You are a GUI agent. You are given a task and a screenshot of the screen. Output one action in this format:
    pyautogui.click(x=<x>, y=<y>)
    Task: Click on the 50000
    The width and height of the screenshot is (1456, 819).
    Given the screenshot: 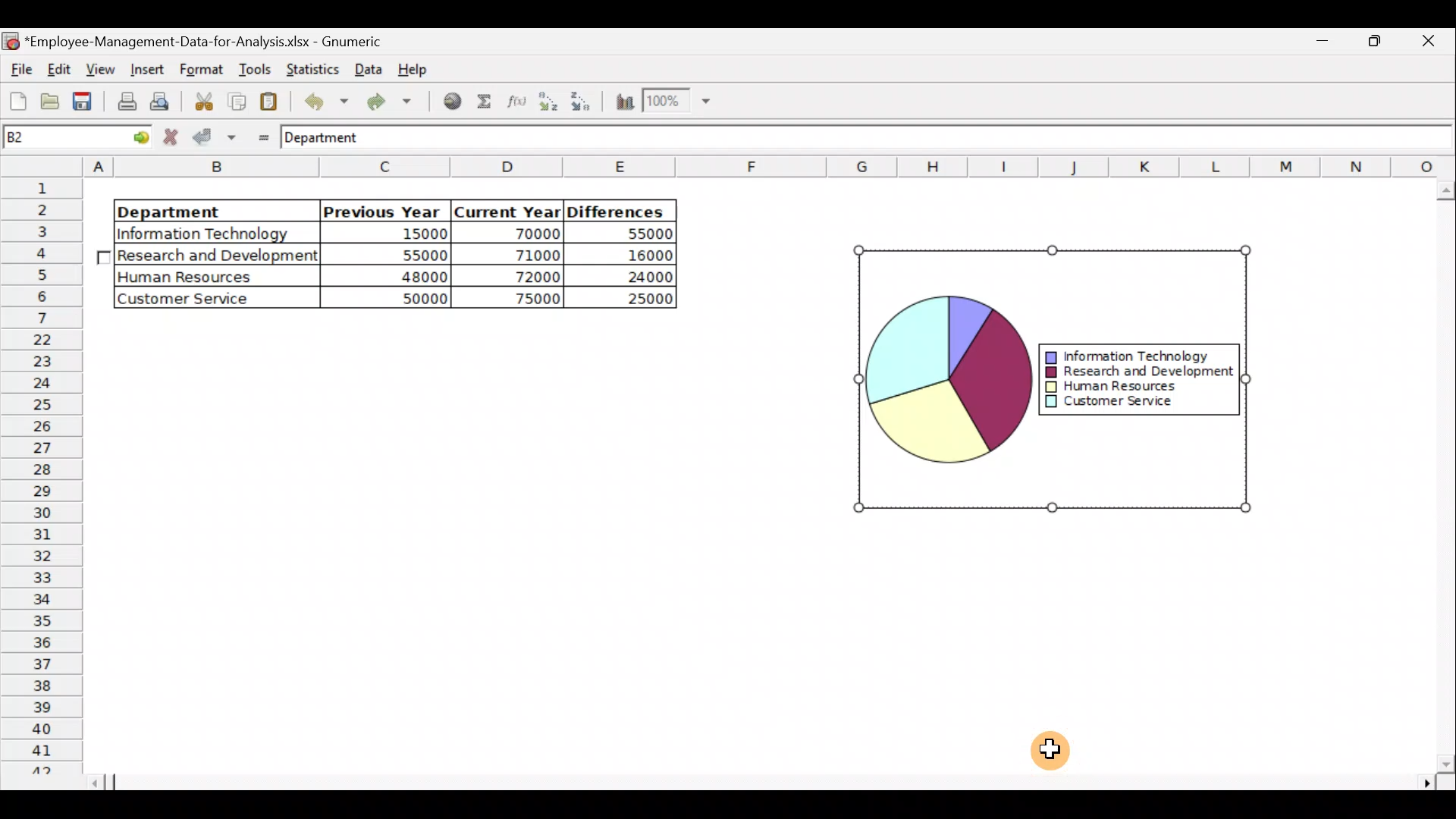 What is the action you would take?
    pyautogui.click(x=402, y=297)
    